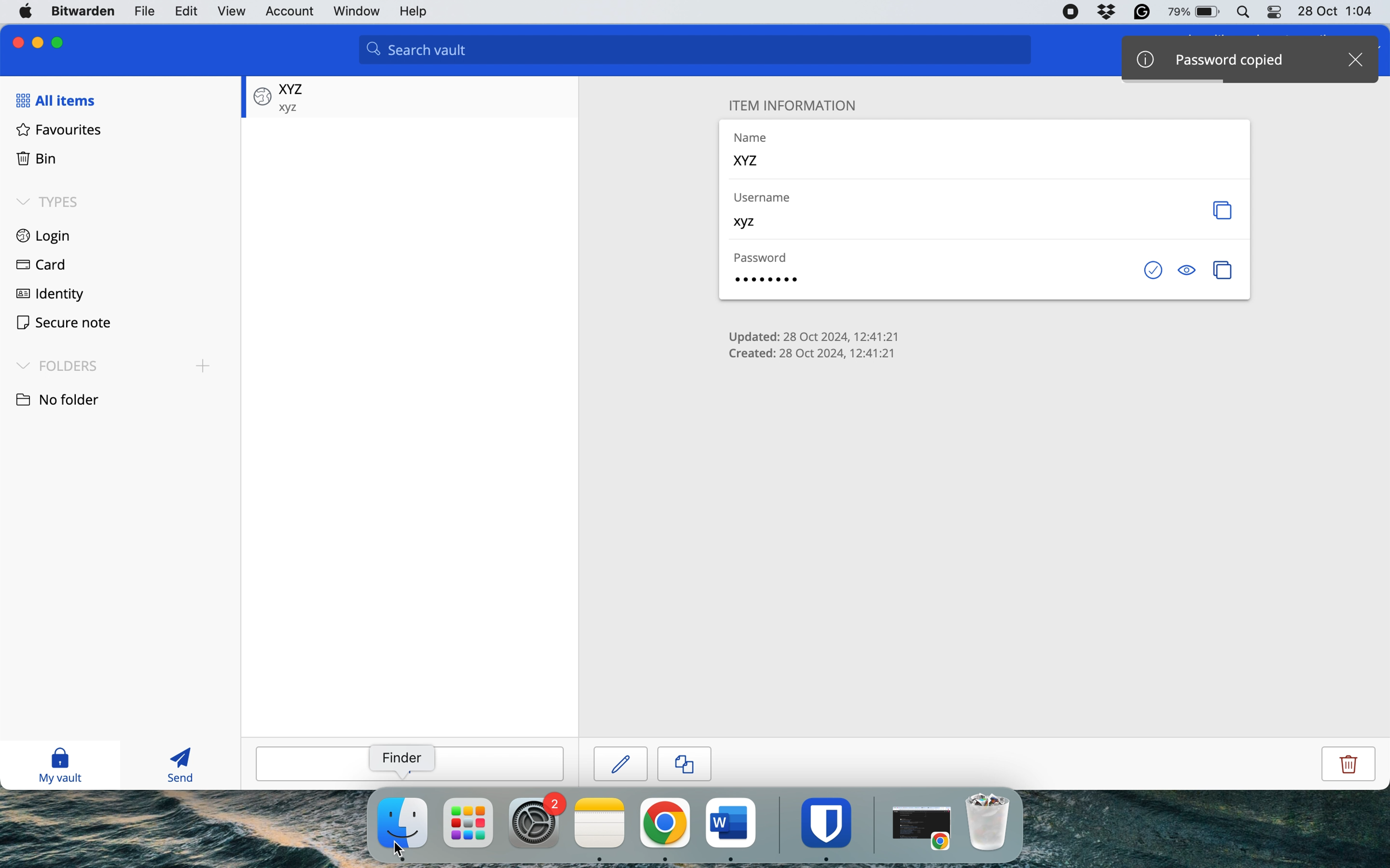 The width and height of the screenshot is (1390, 868). What do you see at coordinates (731, 822) in the screenshot?
I see `ms word` at bounding box center [731, 822].